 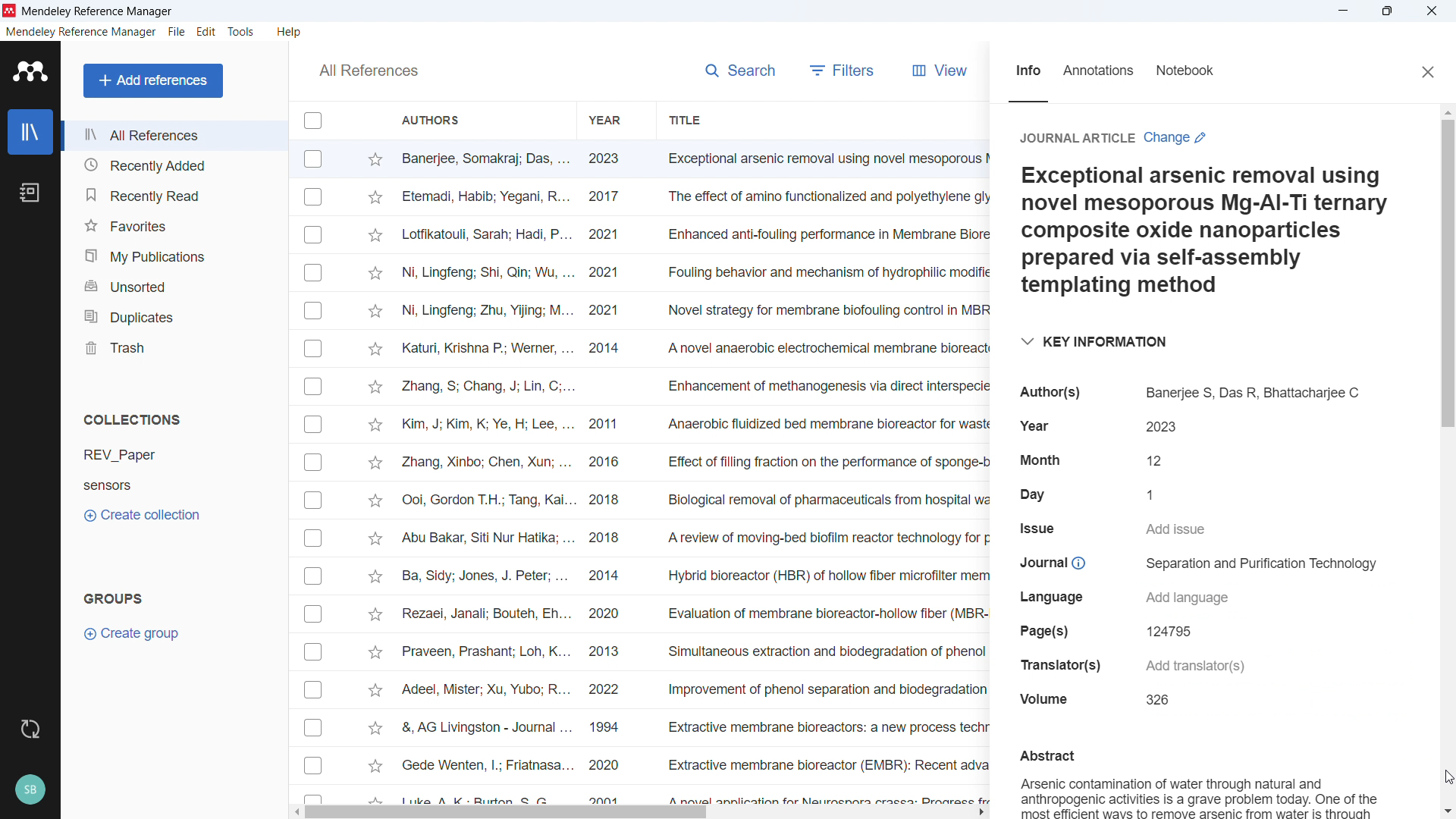 What do you see at coordinates (1058, 597) in the screenshot?
I see `language` at bounding box center [1058, 597].